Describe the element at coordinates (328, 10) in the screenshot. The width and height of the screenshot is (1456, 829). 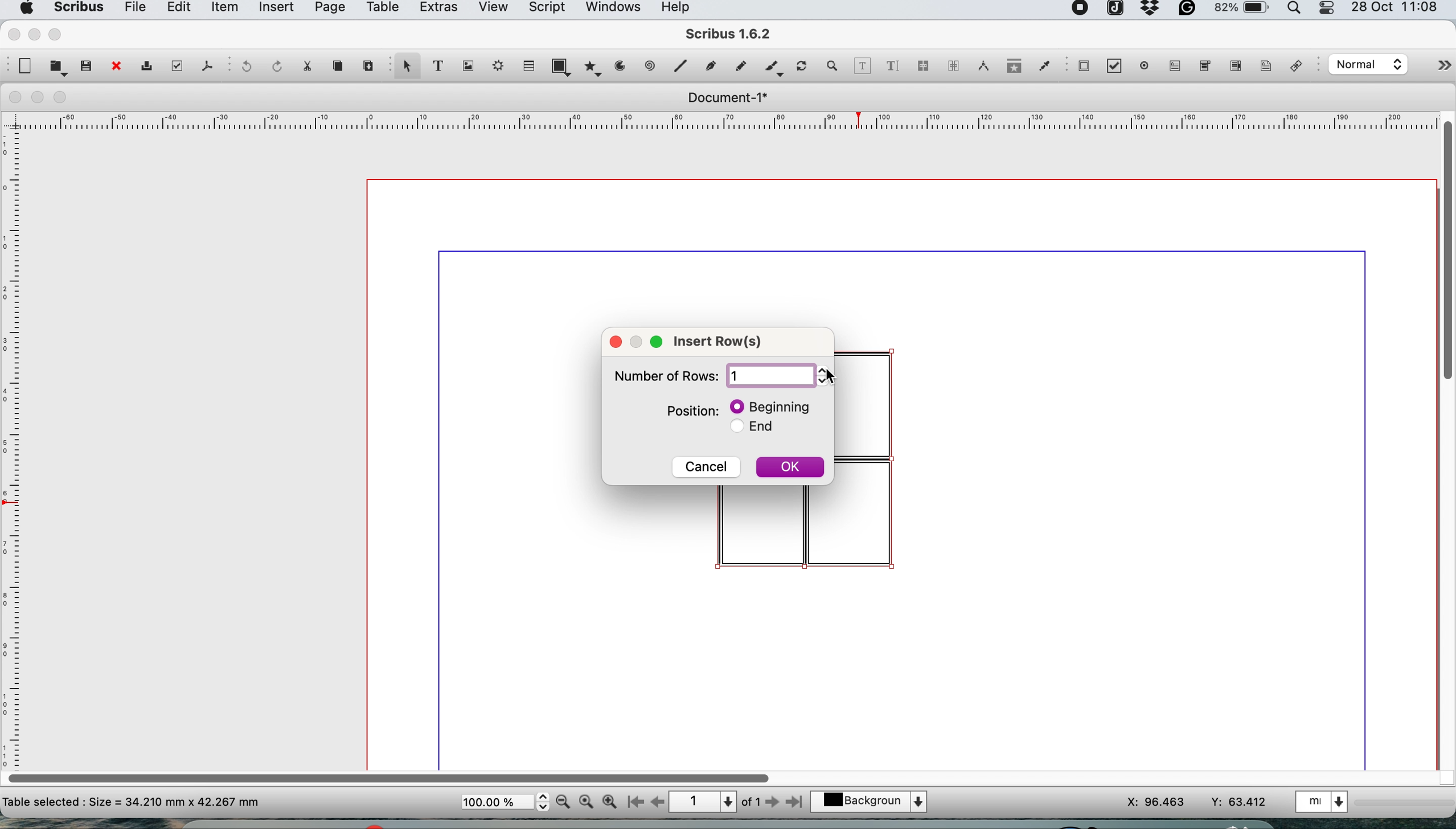
I see `page` at that location.